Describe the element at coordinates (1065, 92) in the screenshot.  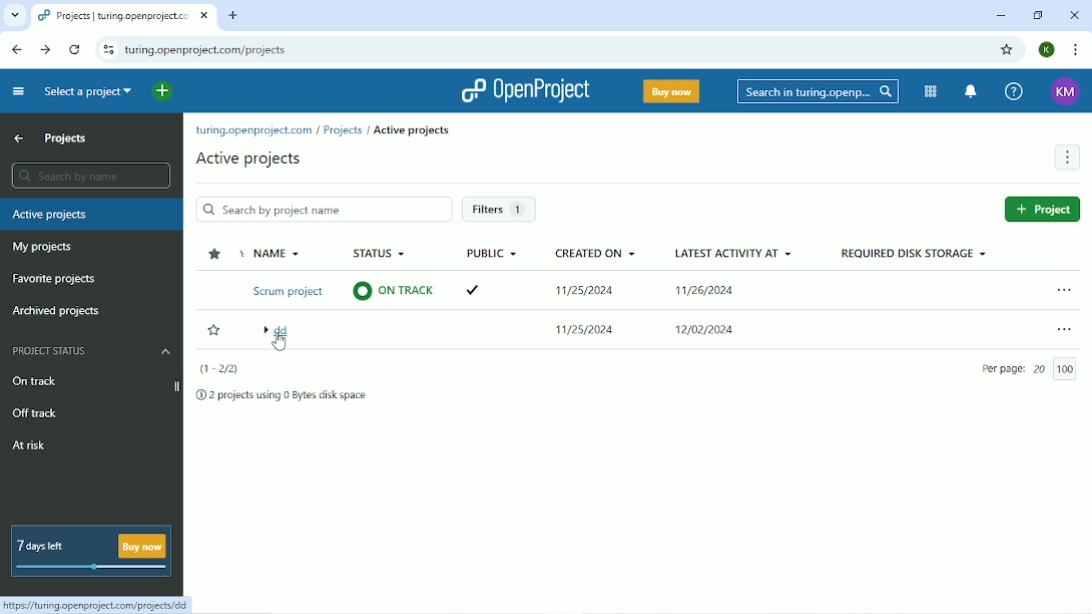
I see `Account` at that location.